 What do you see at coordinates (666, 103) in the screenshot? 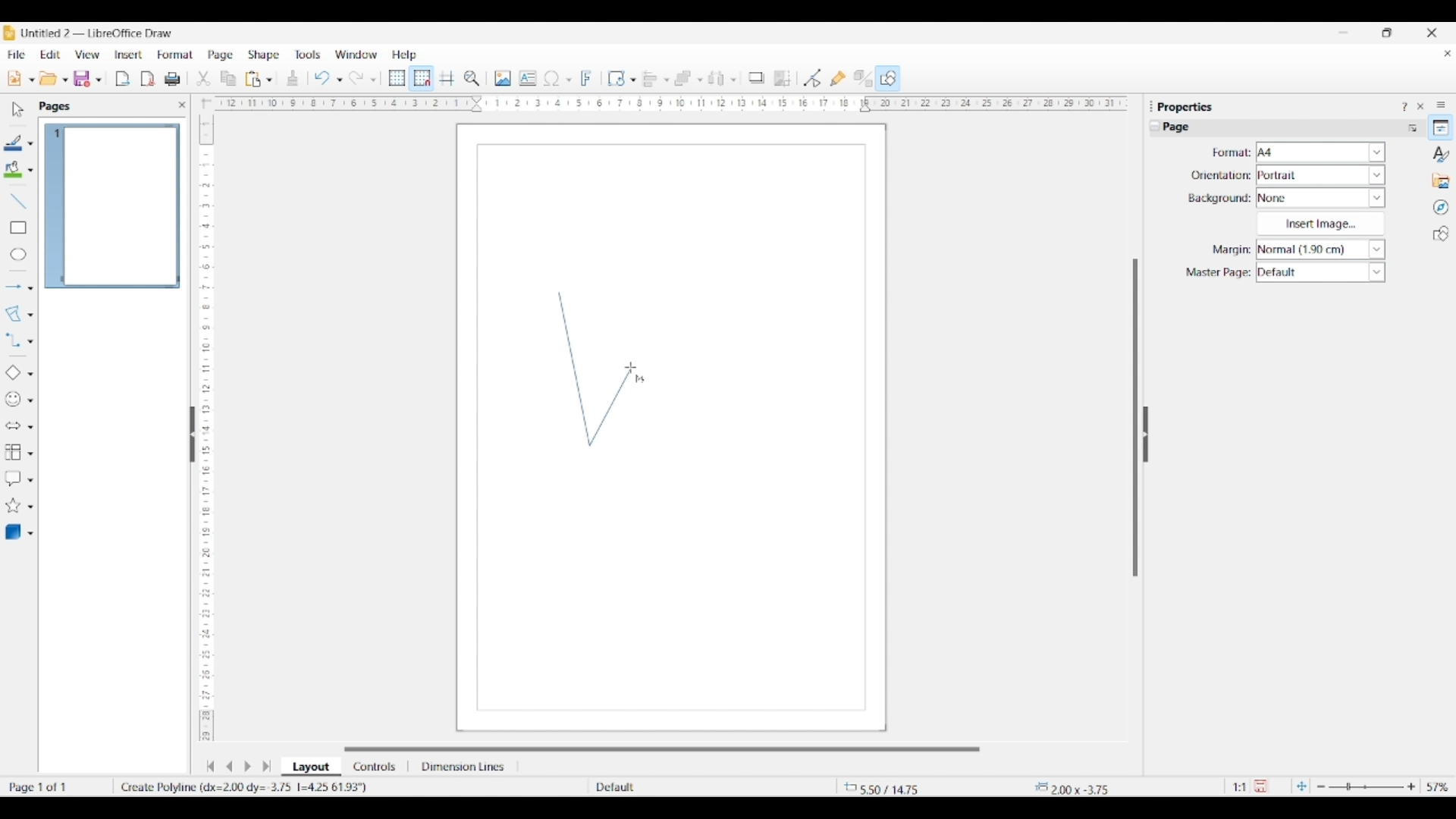
I see `Horizontal ruler` at bounding box center [666, 103].